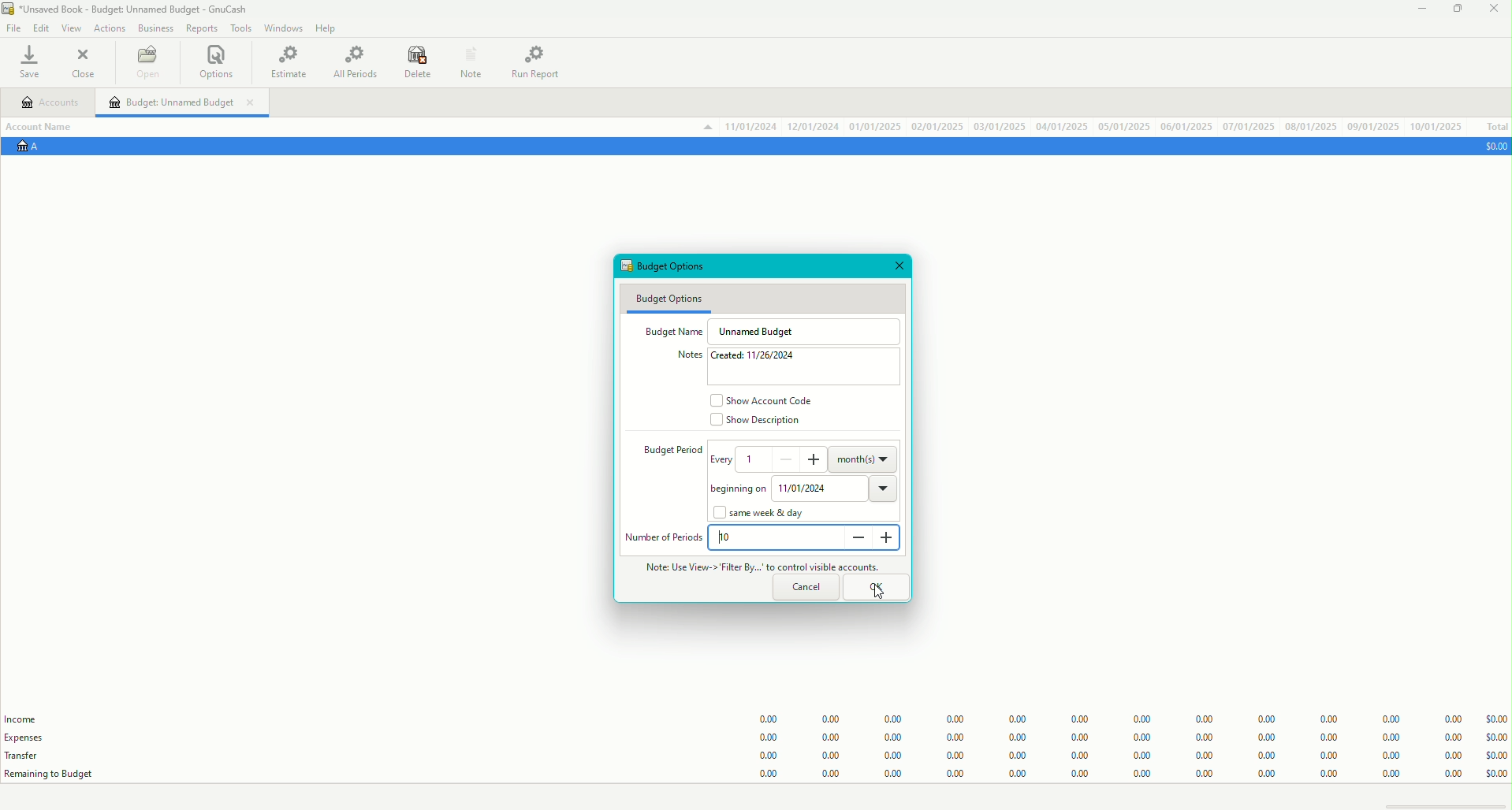  I want to click on Budget period, so click(664, 451).